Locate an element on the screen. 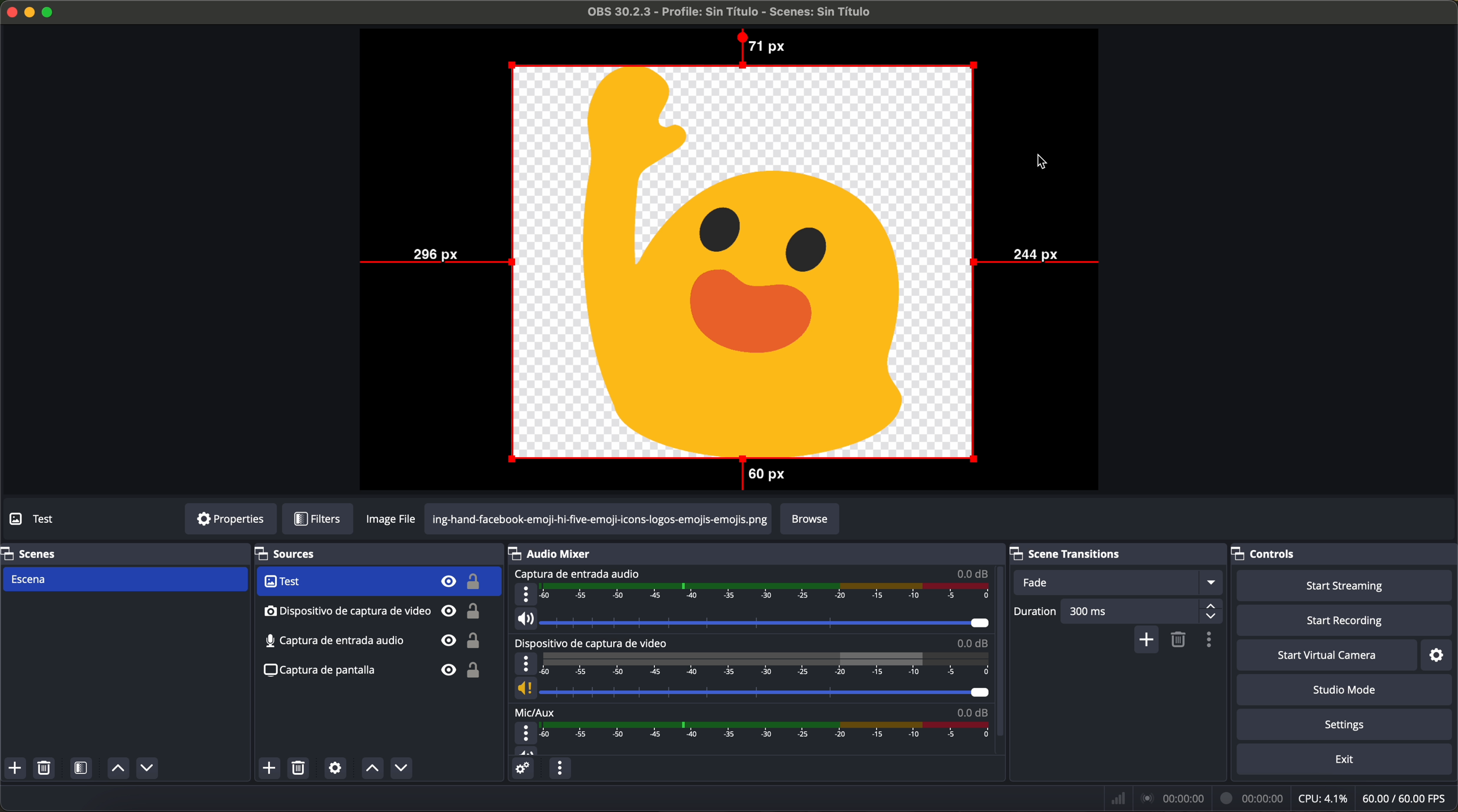 Image resolution: width=1458 pixels, height=812 pixels. scene is located at coordinates (124, 580).